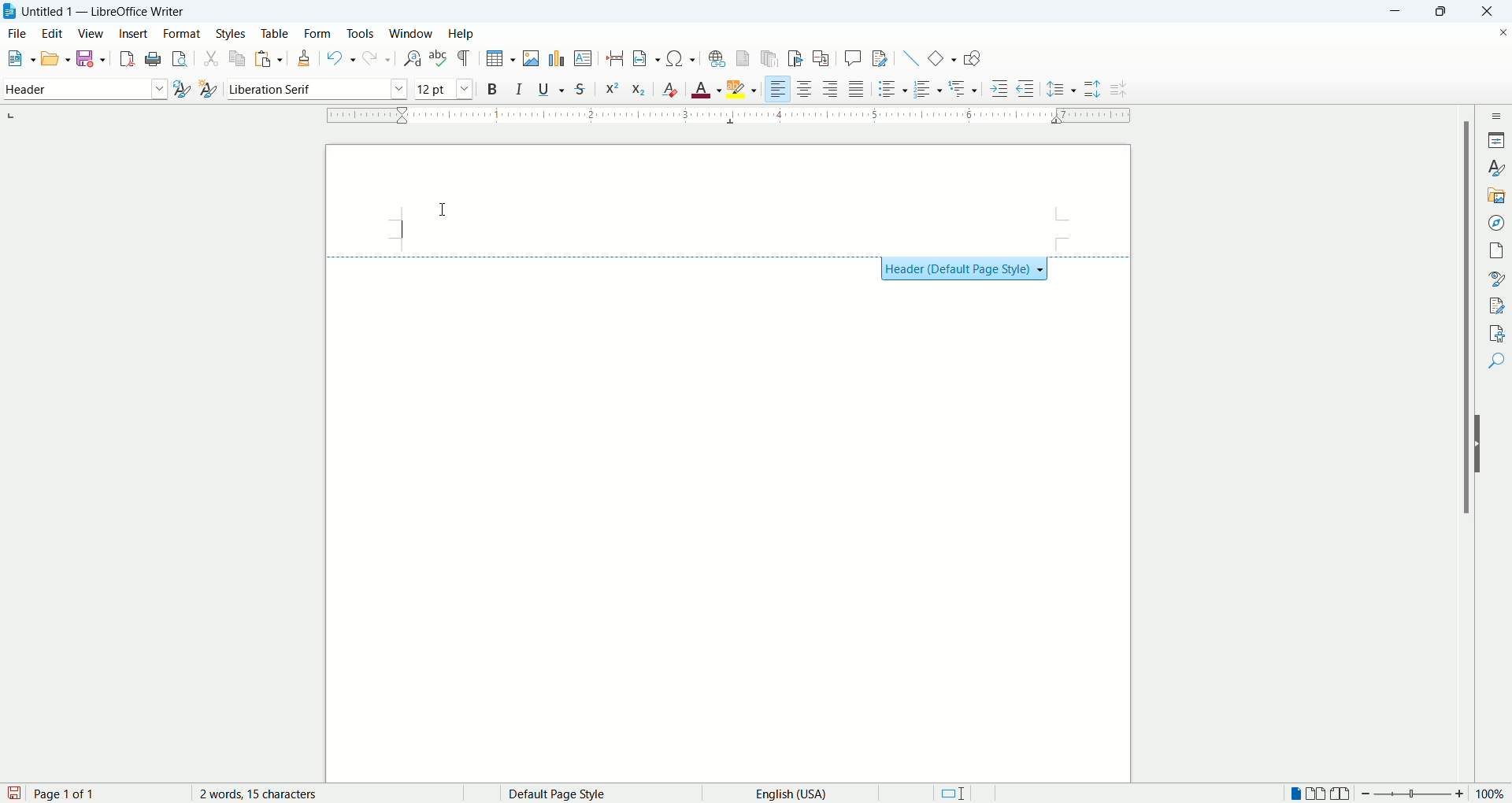 The width and height of the screenshot is (1512, 803). What do you see at coordinates (438, 58) in the screenshot?
I see `spell check` at bounding box center [438, 58].